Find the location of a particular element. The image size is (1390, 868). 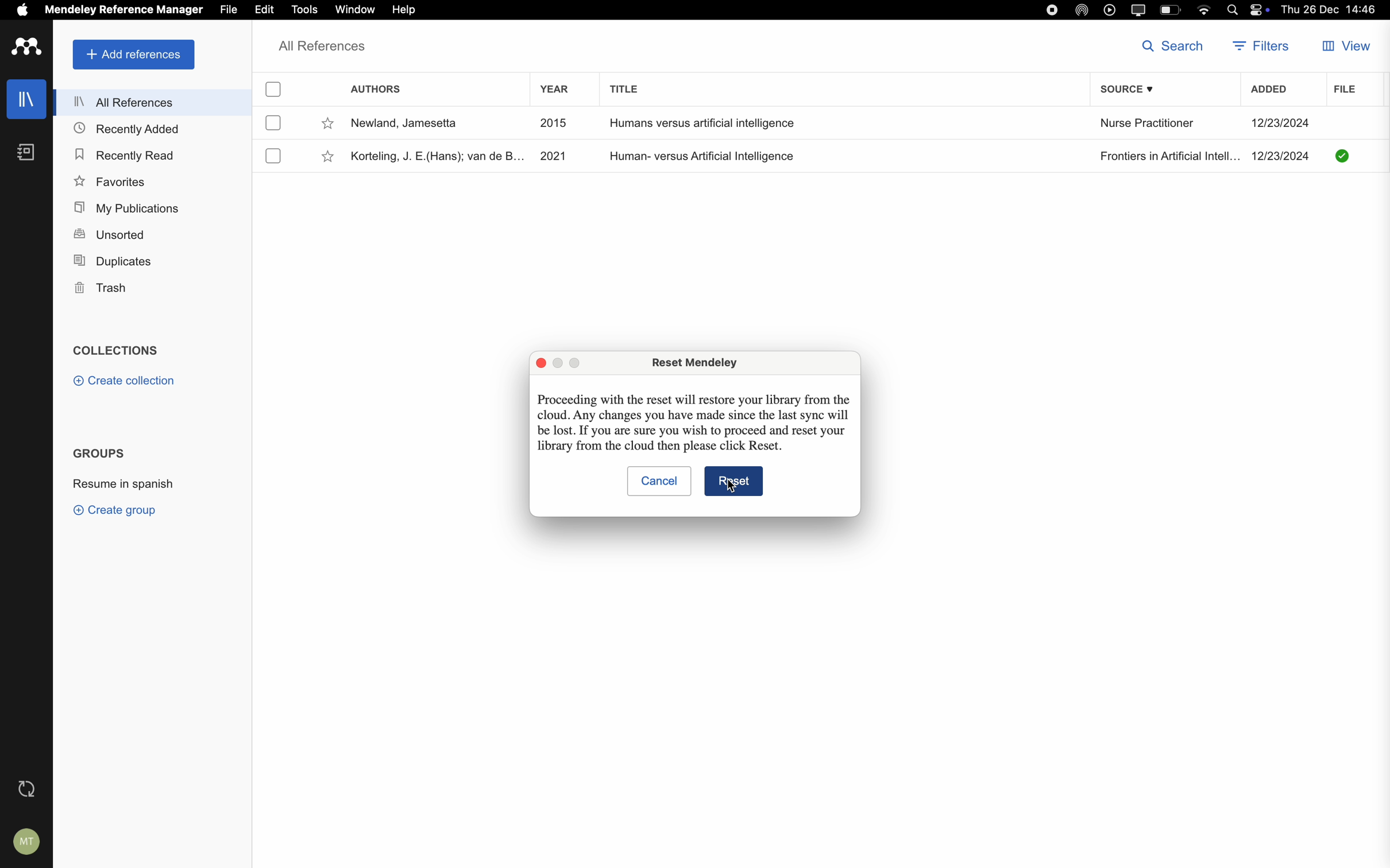

window is located at coordinates (354, 9).